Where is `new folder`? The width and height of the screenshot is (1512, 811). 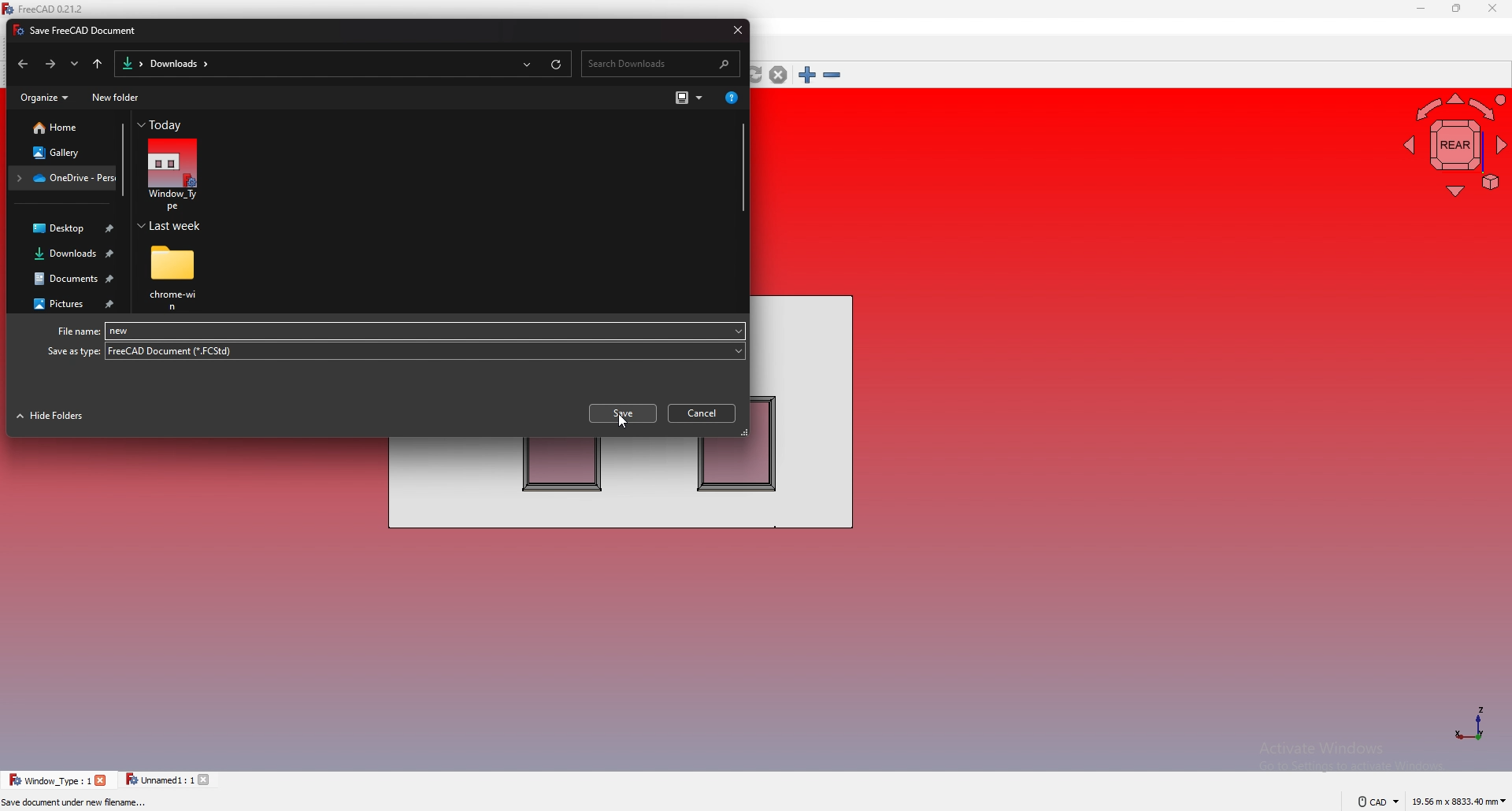 new folder is located at coordinates (117, 99).